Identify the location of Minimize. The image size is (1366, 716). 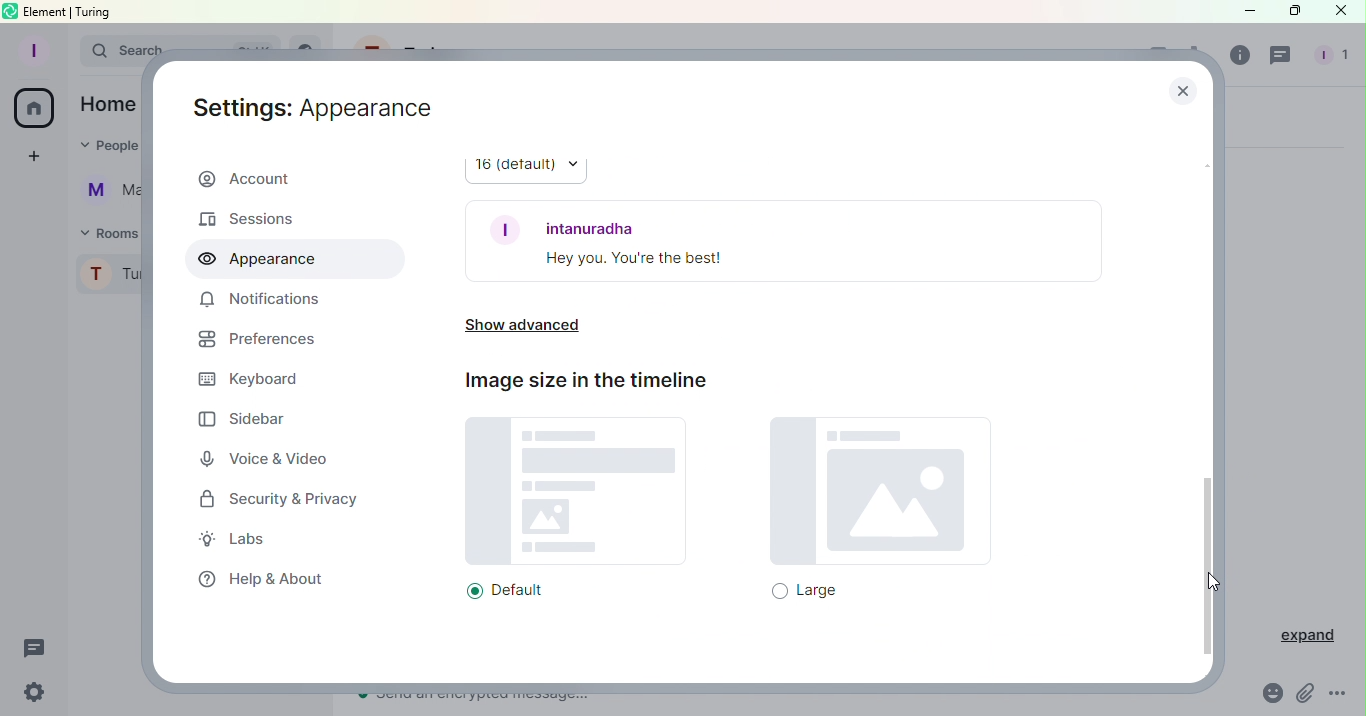
(1242, 10).